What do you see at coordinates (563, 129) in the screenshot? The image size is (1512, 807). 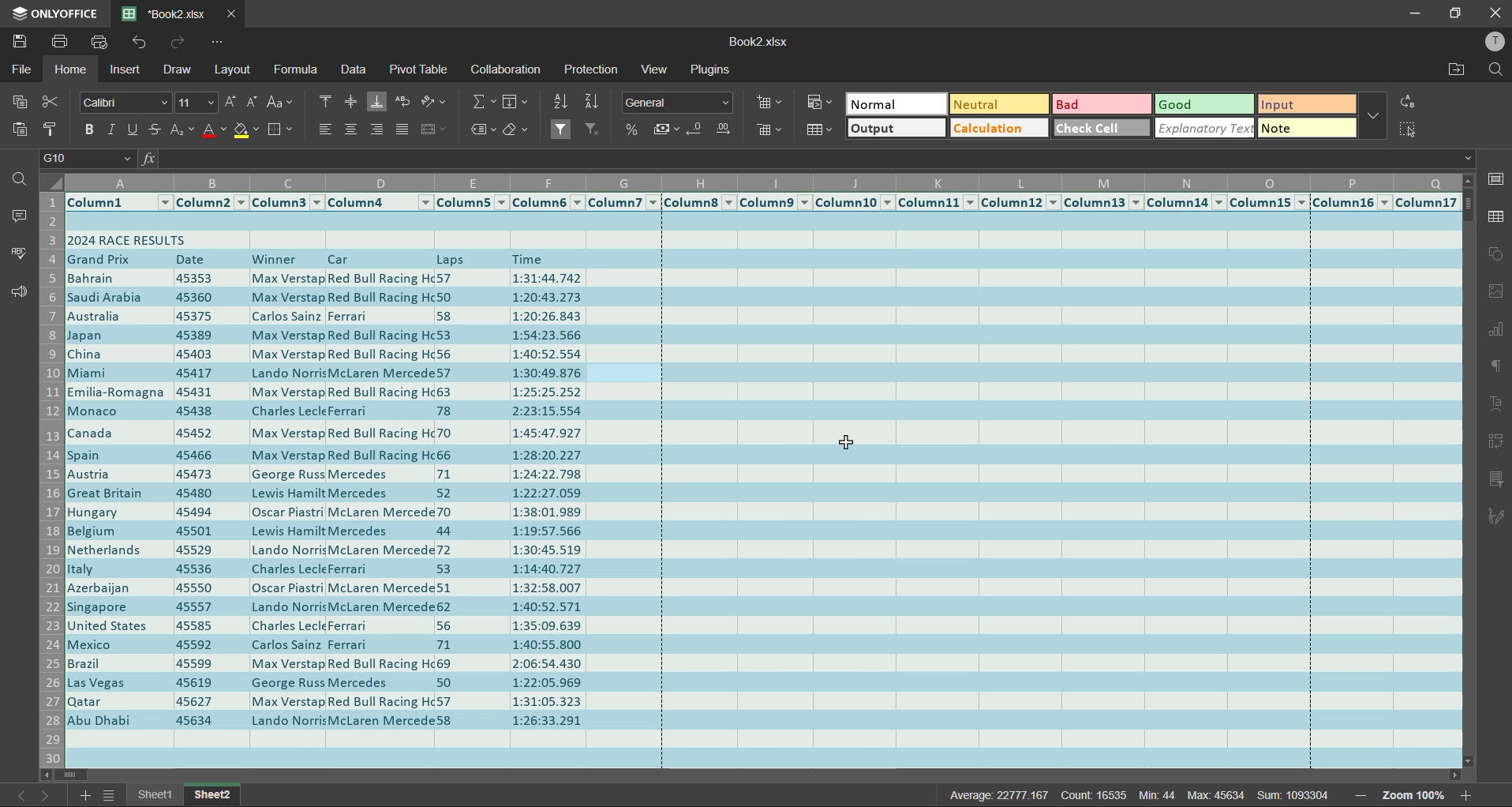 I see `filter` at bounding box center [563, 129].